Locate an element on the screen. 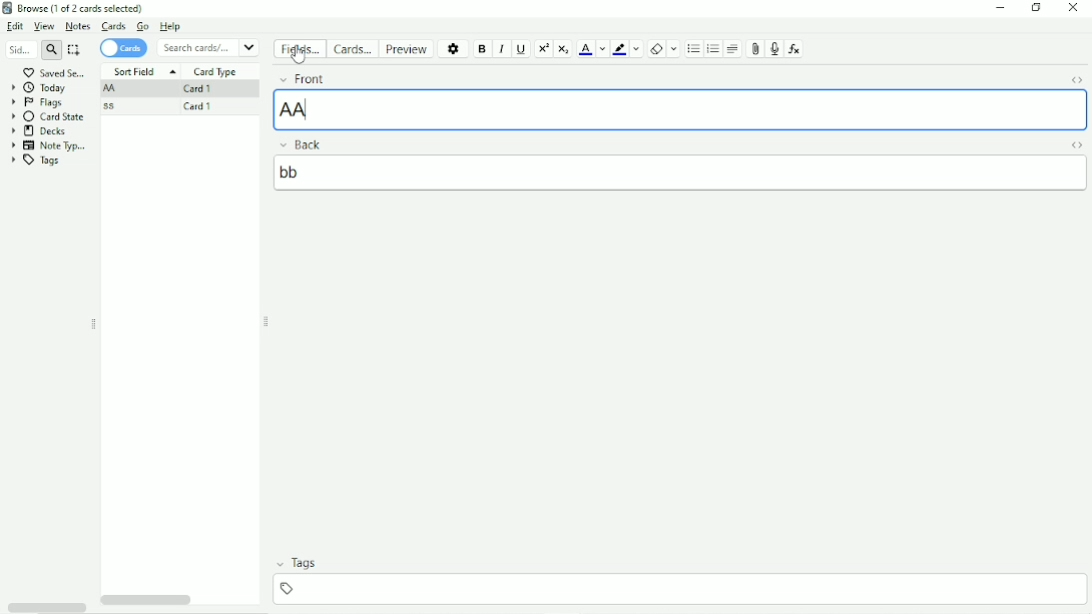 The width and height of the screenshot is (1092, 614). Go is located at coordinates (144, 27).